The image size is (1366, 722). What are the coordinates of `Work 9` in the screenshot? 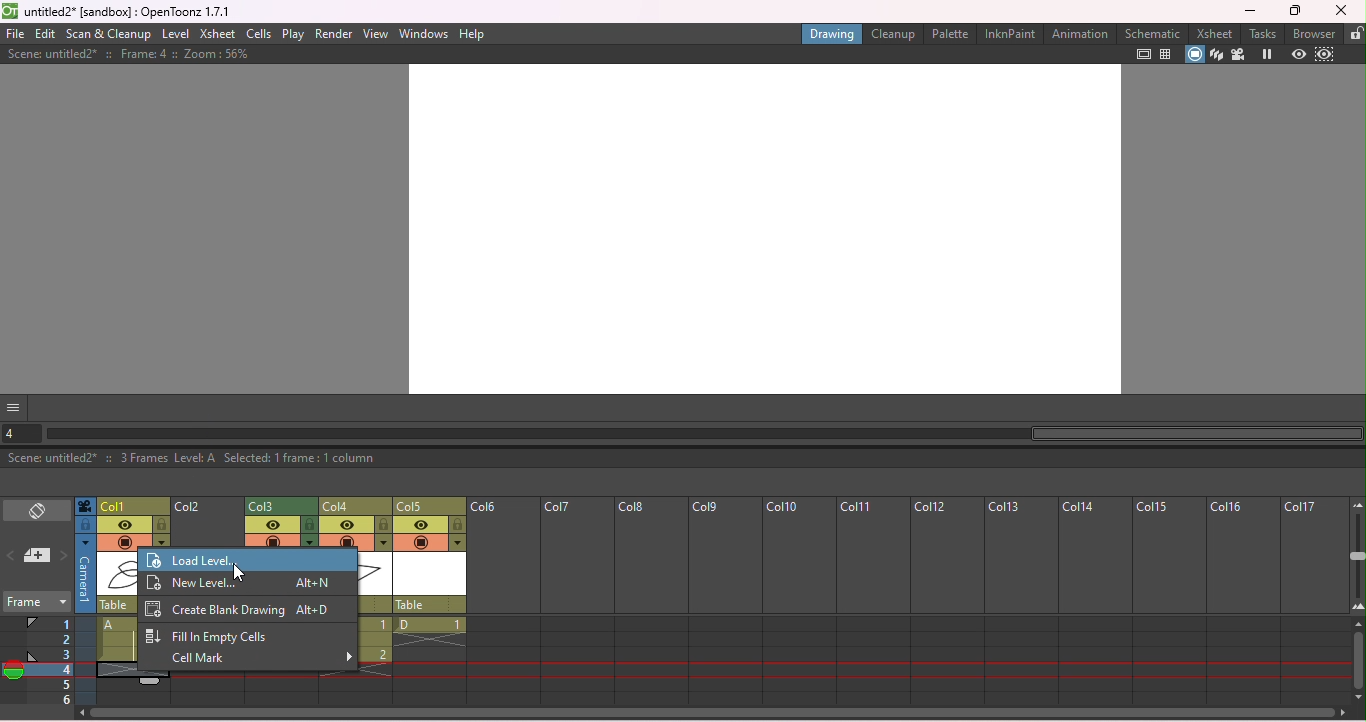 It's located at (723, 600).